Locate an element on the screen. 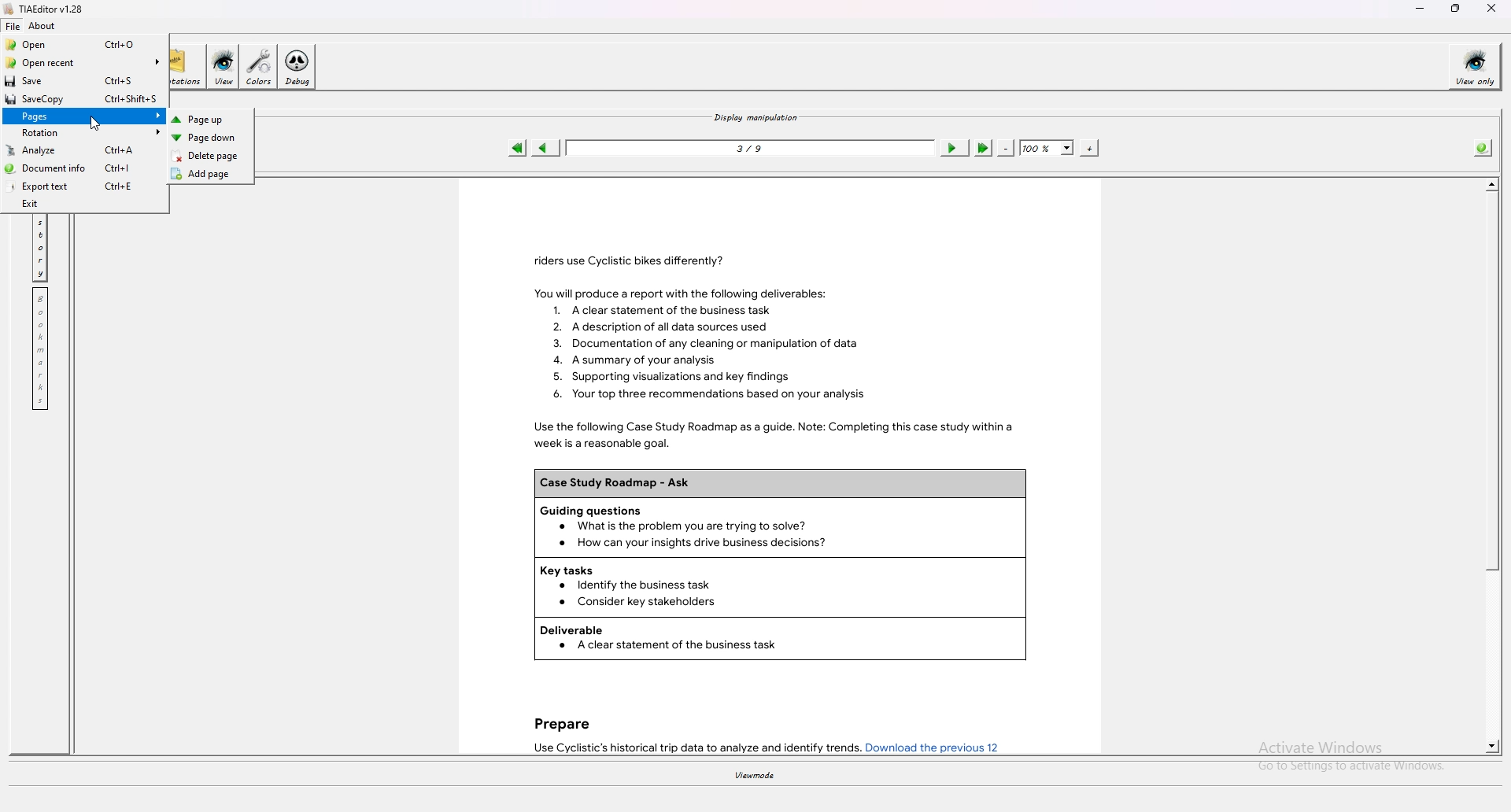 This screenshot has height=812, width=1511. next page is located at coordinates (954, 147).